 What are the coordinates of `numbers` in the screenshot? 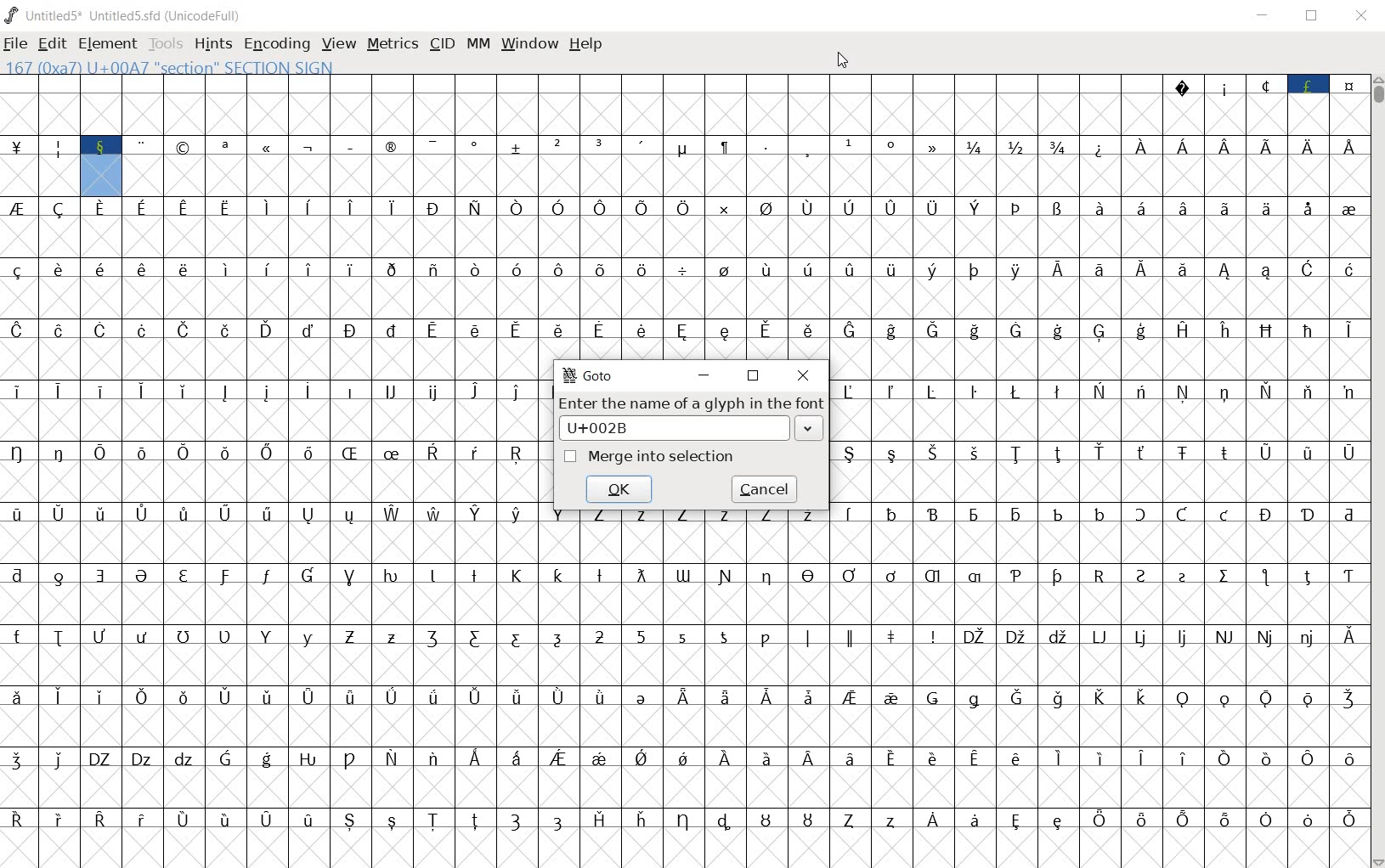 It's located at (579, 167).